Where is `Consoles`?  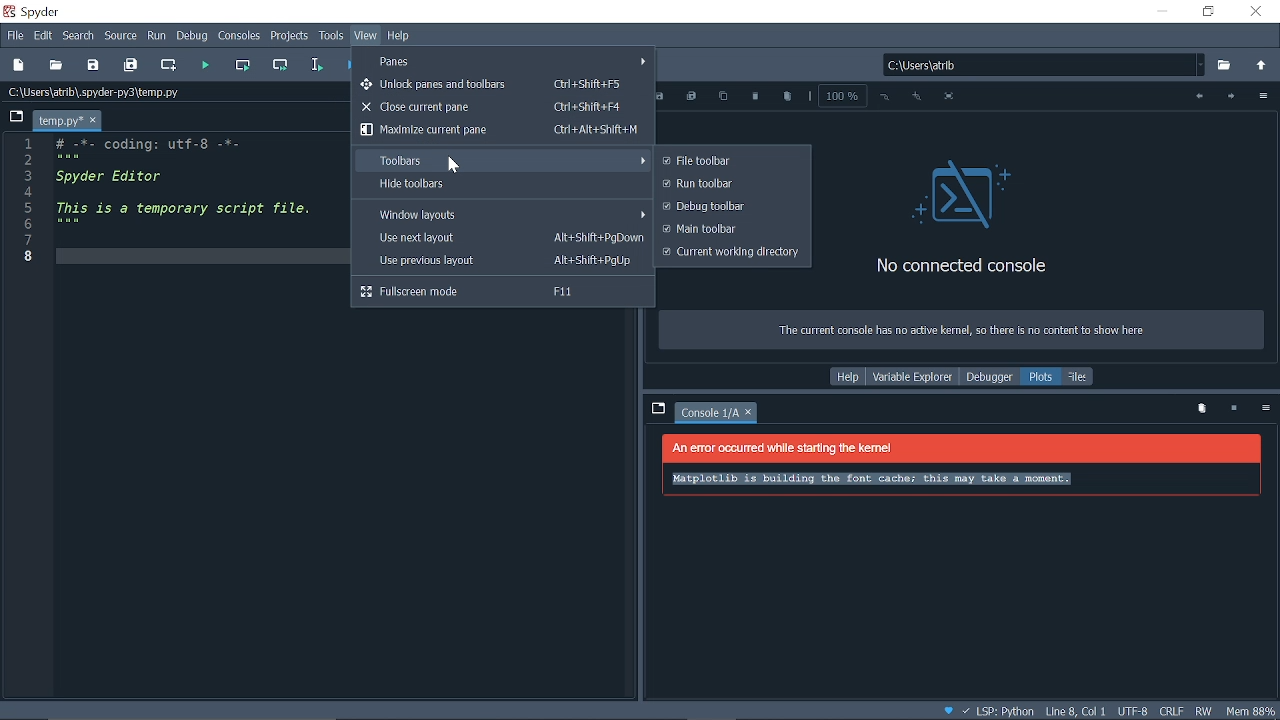
Consoles is located at coordinates (241, 37).